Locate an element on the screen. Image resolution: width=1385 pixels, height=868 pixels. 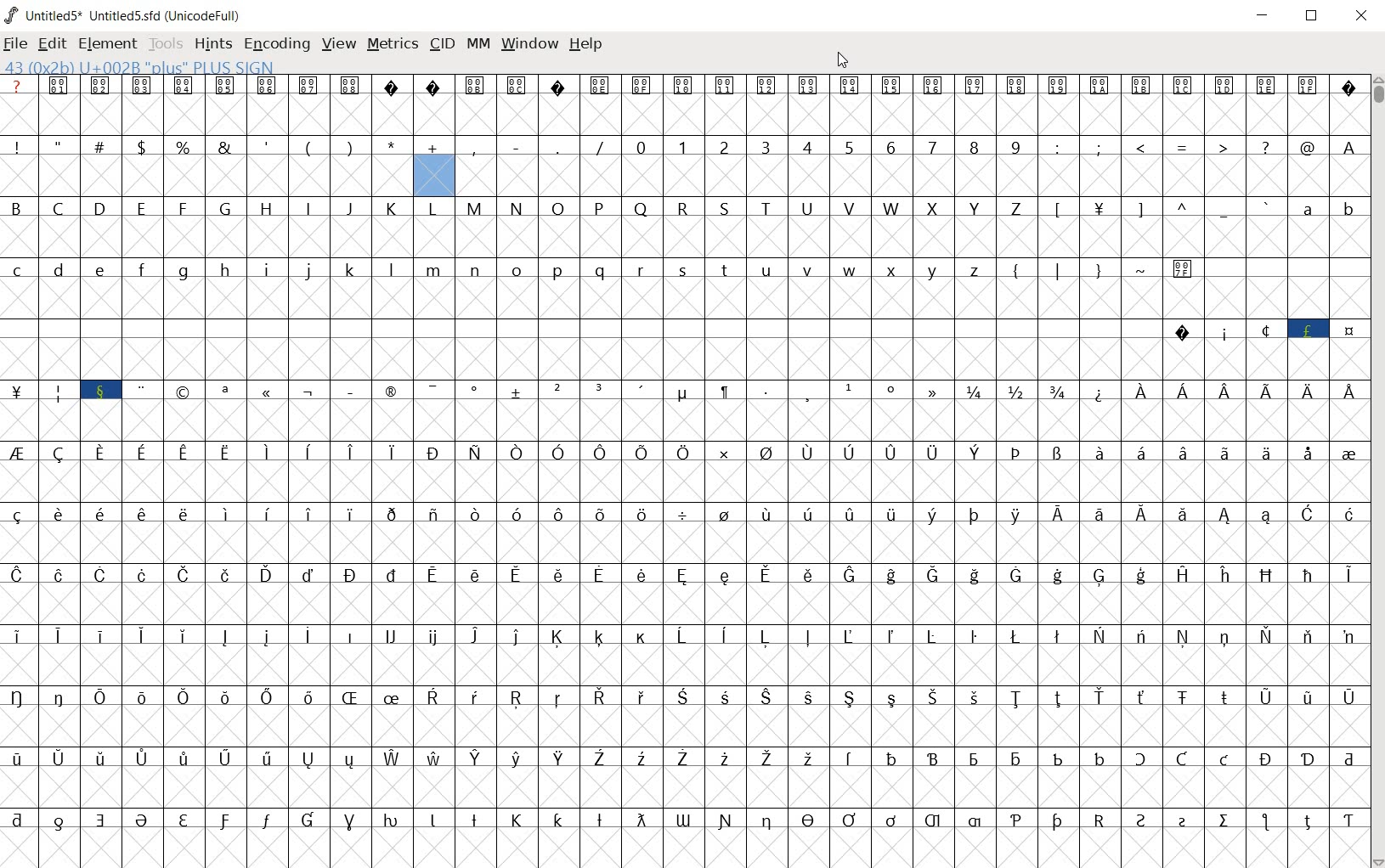
special characters is located at coordinates (1098, 776).